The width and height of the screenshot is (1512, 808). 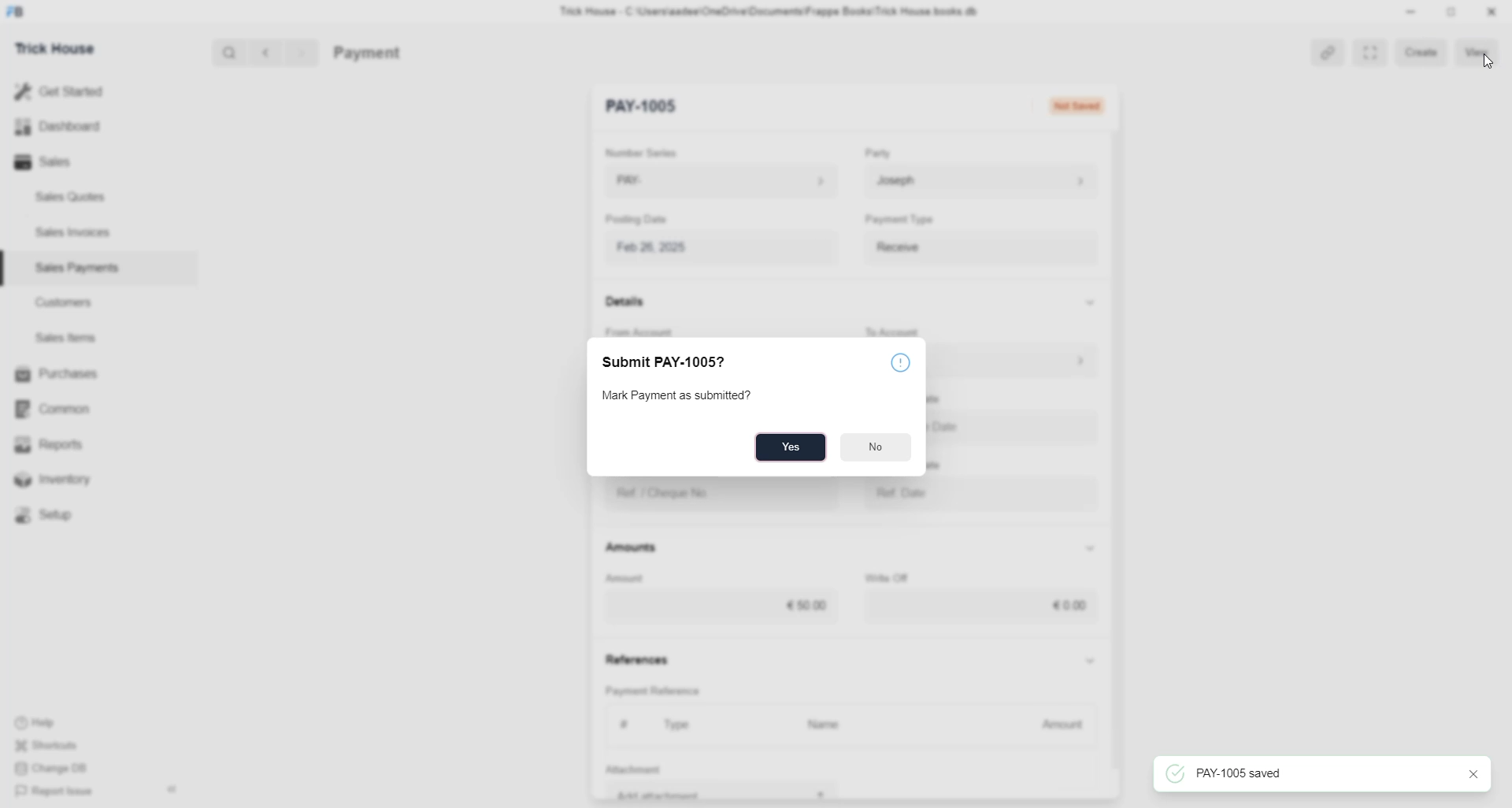 I want to click on Posting Date, so click(x=636, y=218).